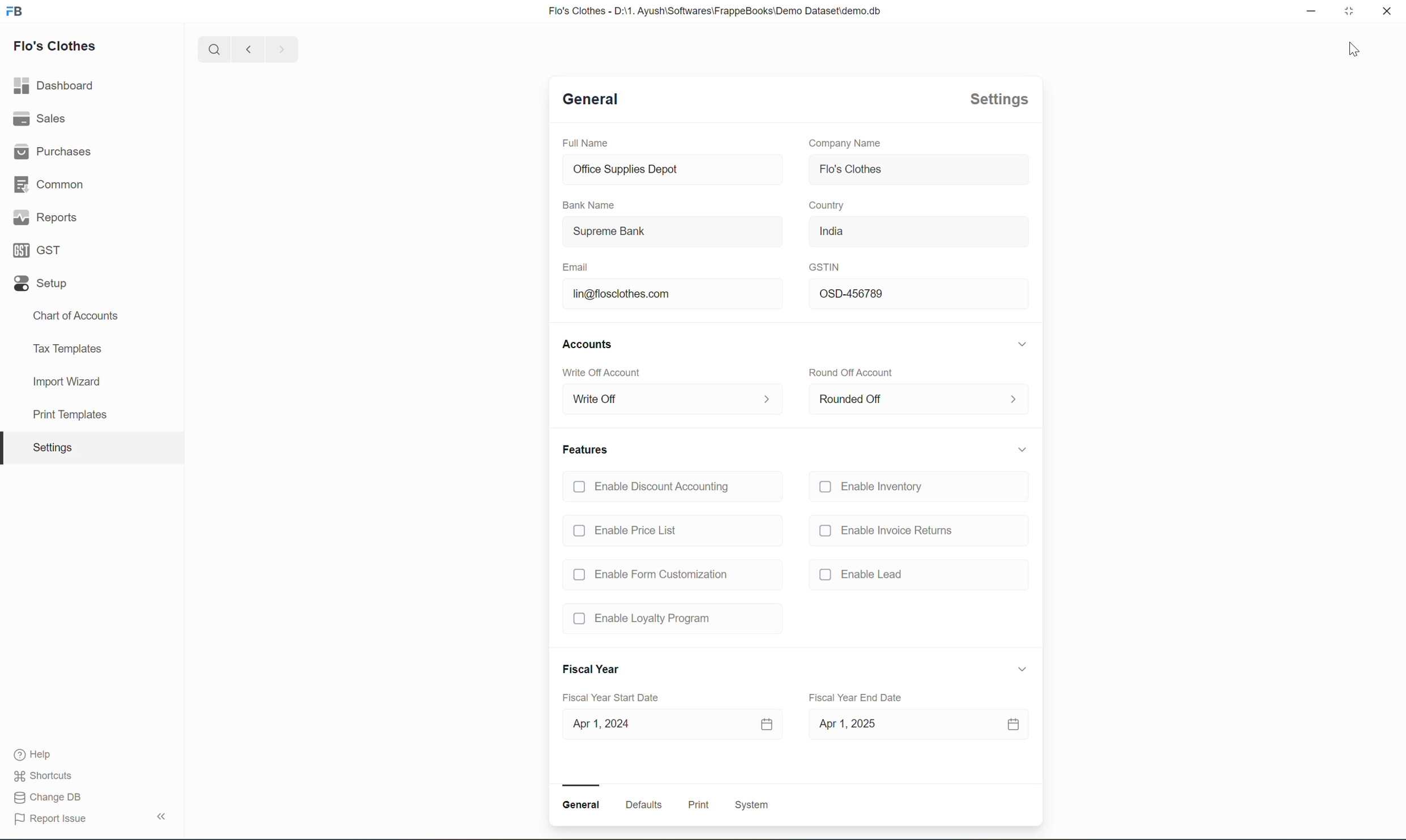 Image resolution: width=1406 pixels, height=840 pixels. What do you see at coordinates (588, 346) in the screenshot?
I see `Accounts` at bounding box center [588, 346].